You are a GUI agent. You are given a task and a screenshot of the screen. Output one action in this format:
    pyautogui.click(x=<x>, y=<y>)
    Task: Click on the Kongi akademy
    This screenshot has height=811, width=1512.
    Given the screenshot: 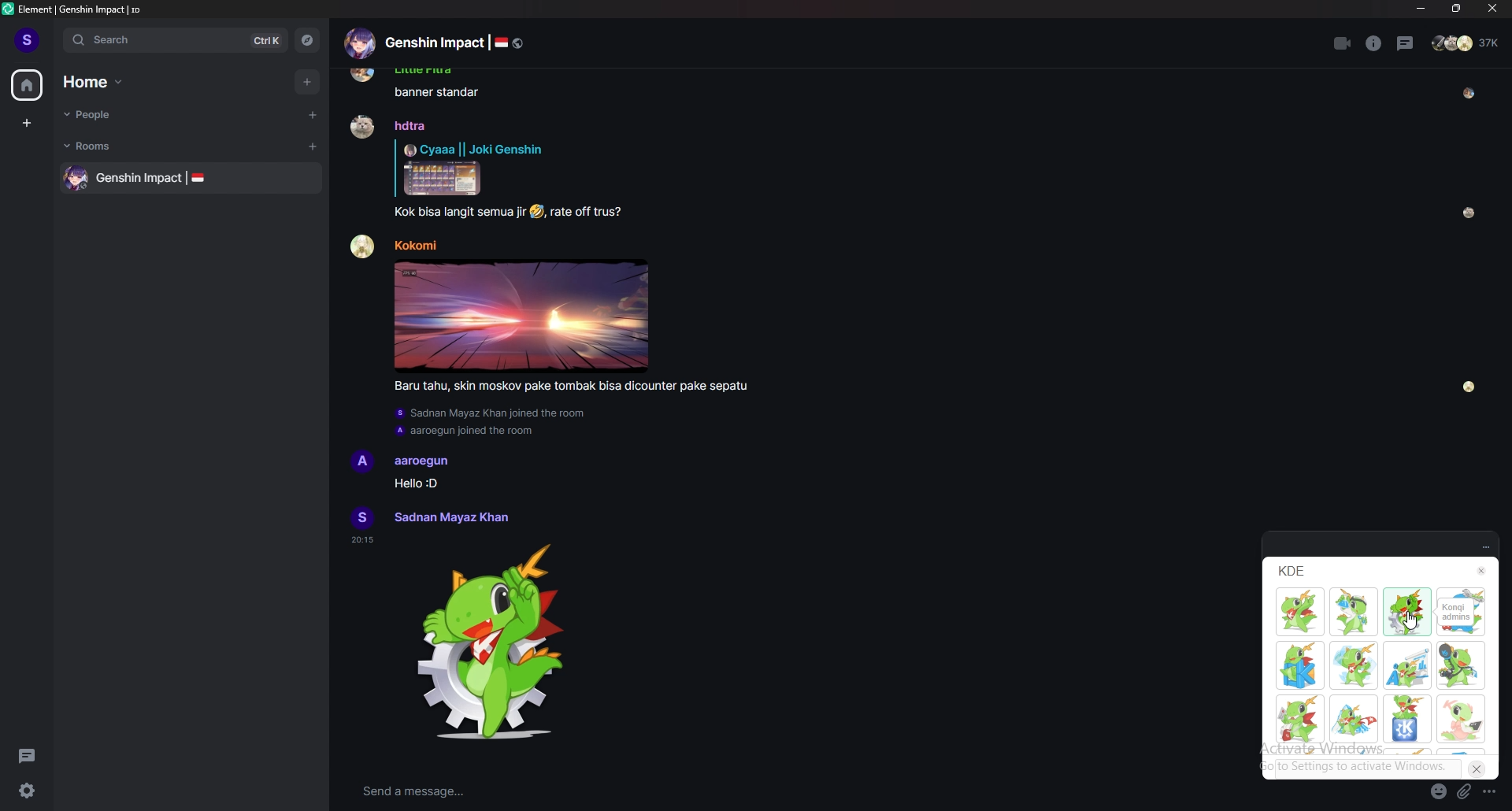 What is the action you would take?
    pyautogui.click(x=1407, y=665)
    